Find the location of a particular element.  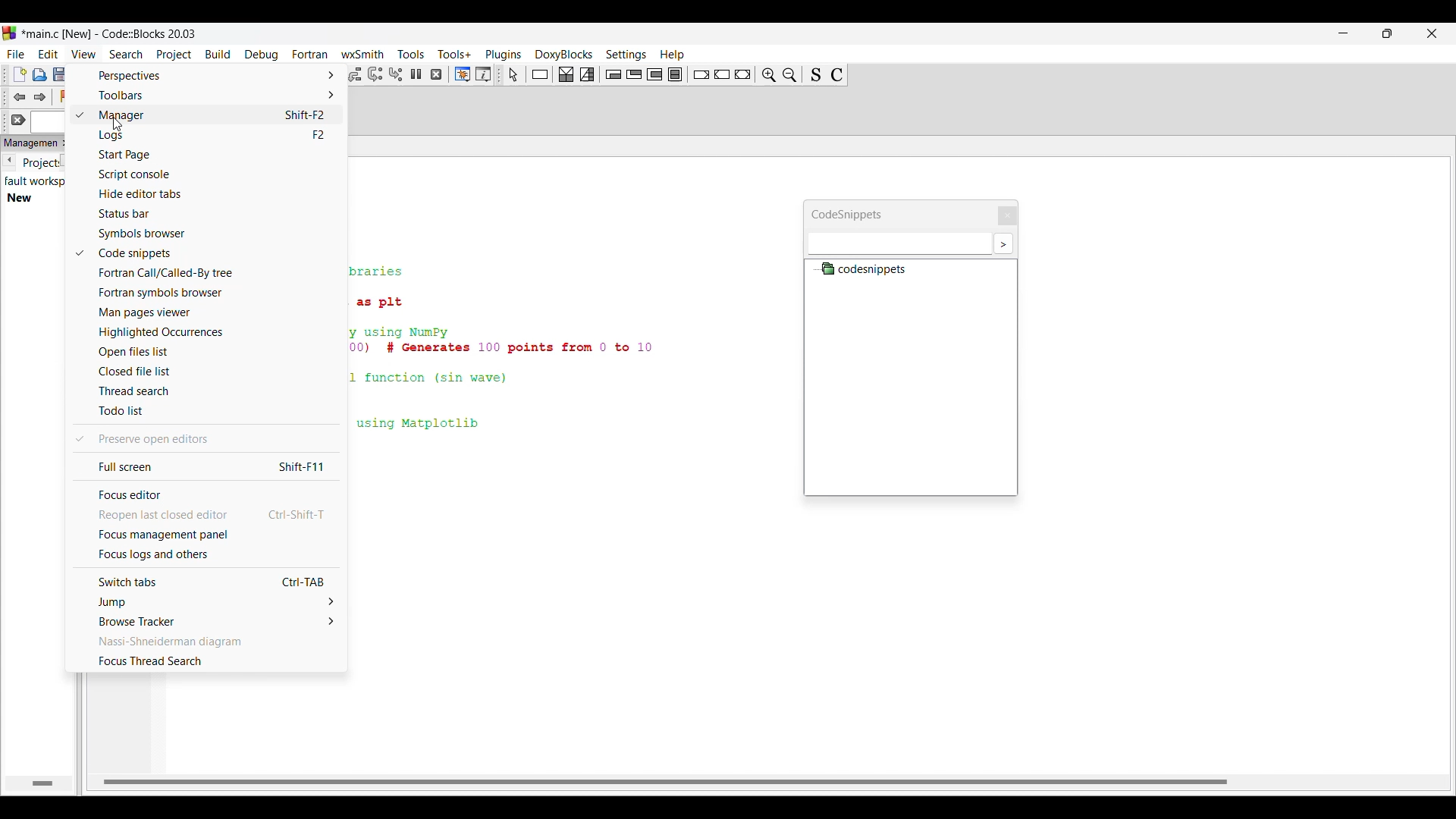

wxSmith menu is located at coordinates (362, 54).